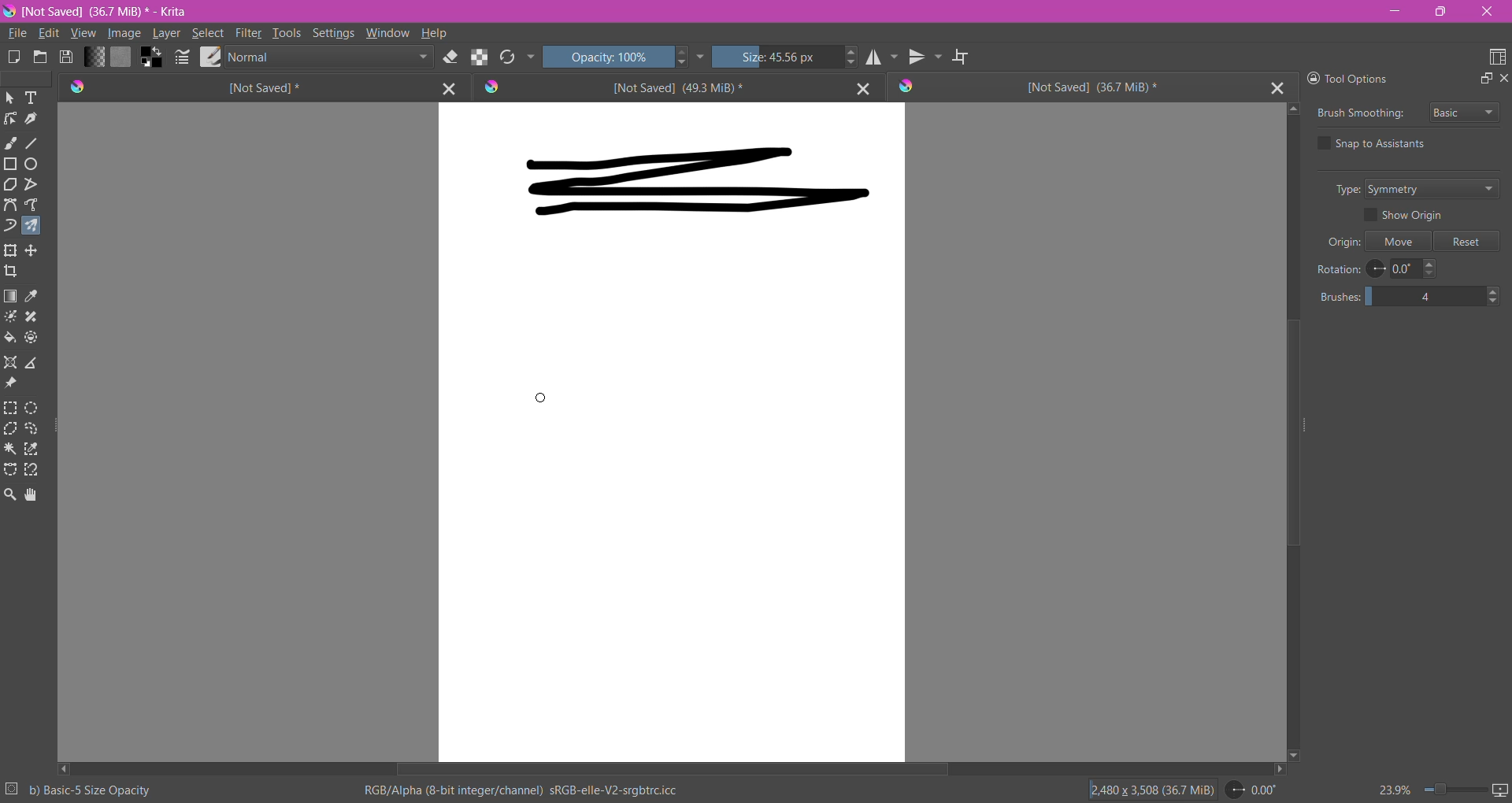 Image resolution: width=1512 pixels, height=803 pixels. Describe the element at coordinates (435, 33) in the screenshot. I see `Help` at that location.